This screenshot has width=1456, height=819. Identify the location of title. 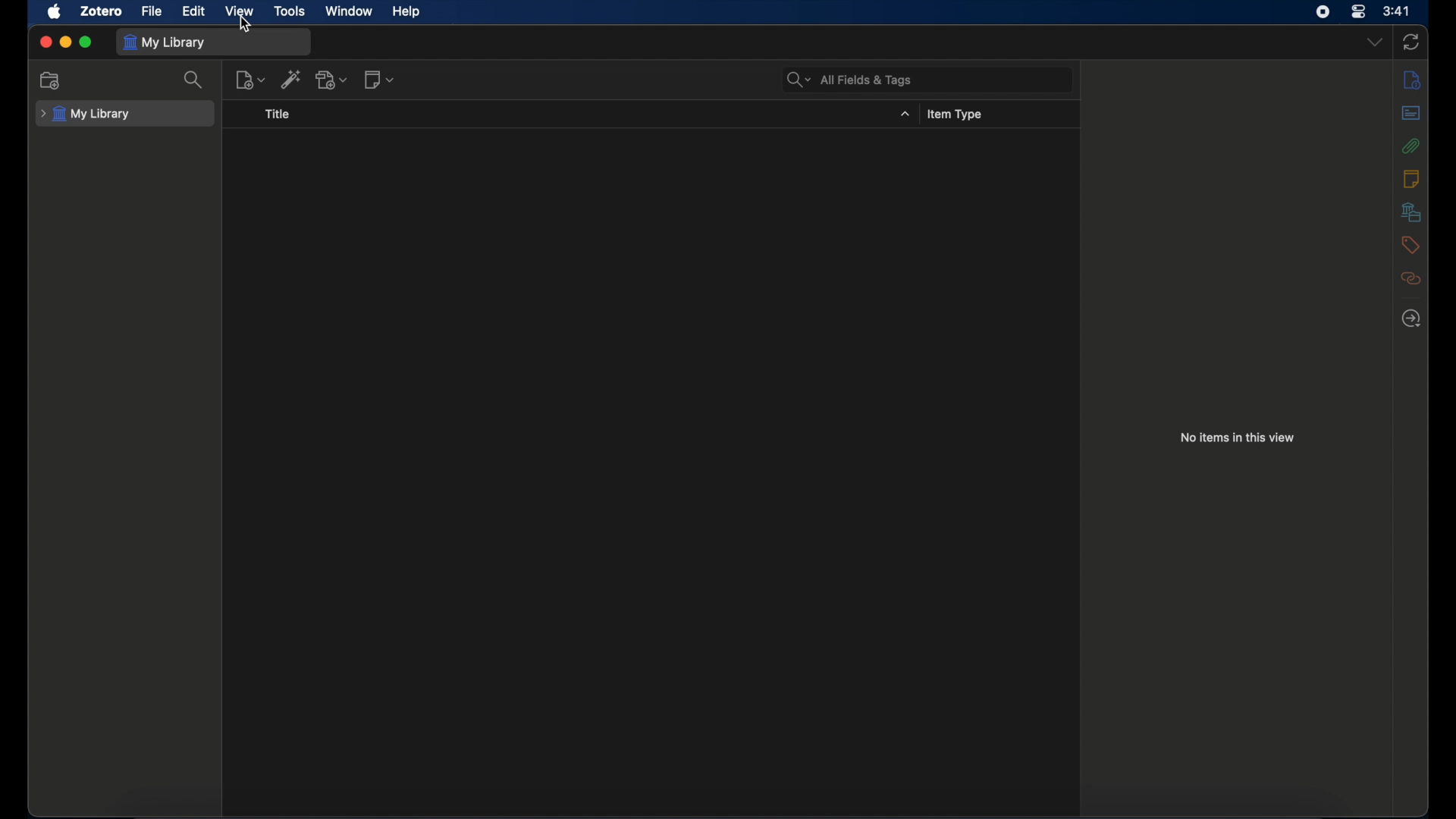
(278, 113).